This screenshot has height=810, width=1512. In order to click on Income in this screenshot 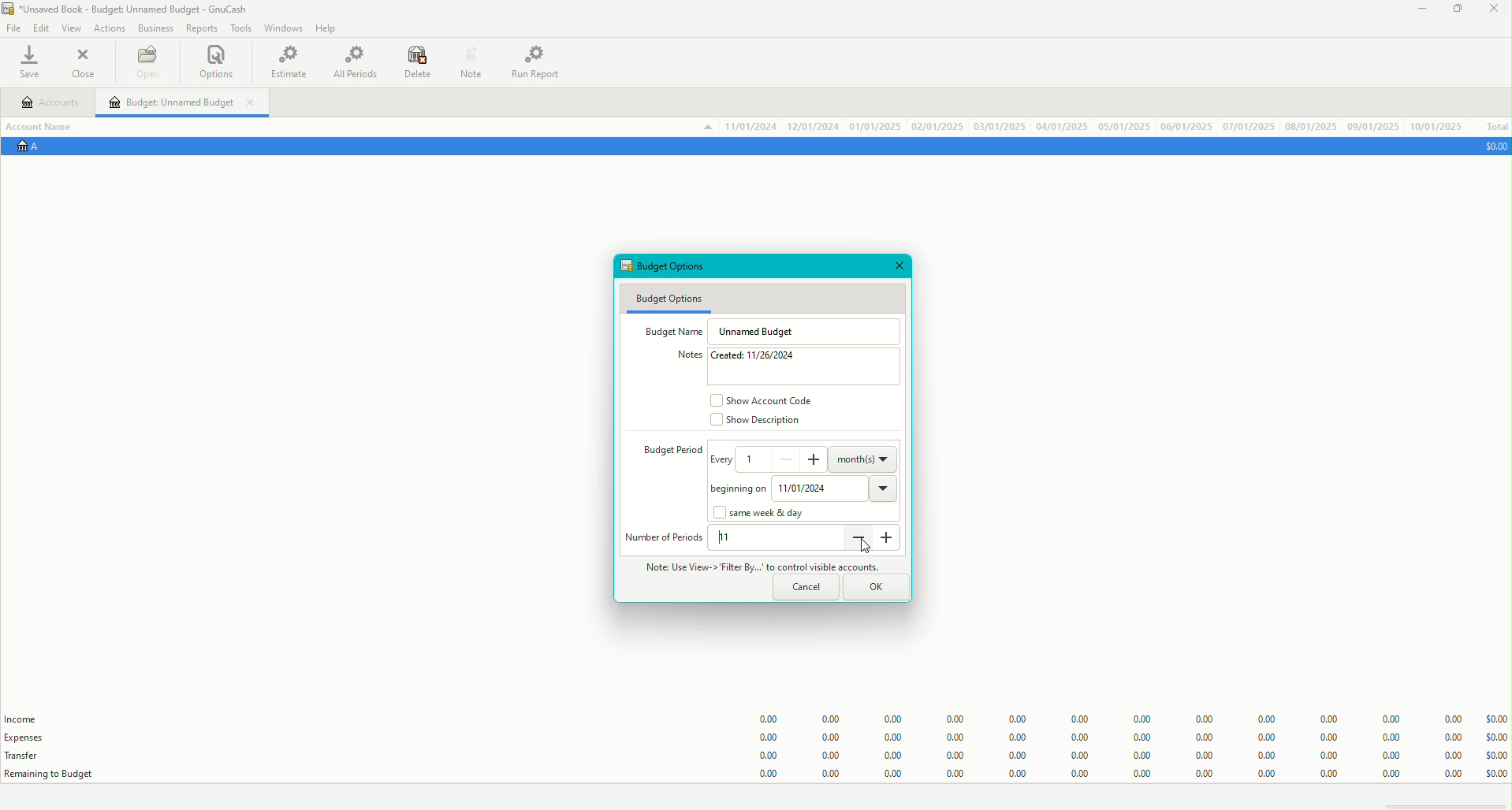, I will do `click(24, 719)`.